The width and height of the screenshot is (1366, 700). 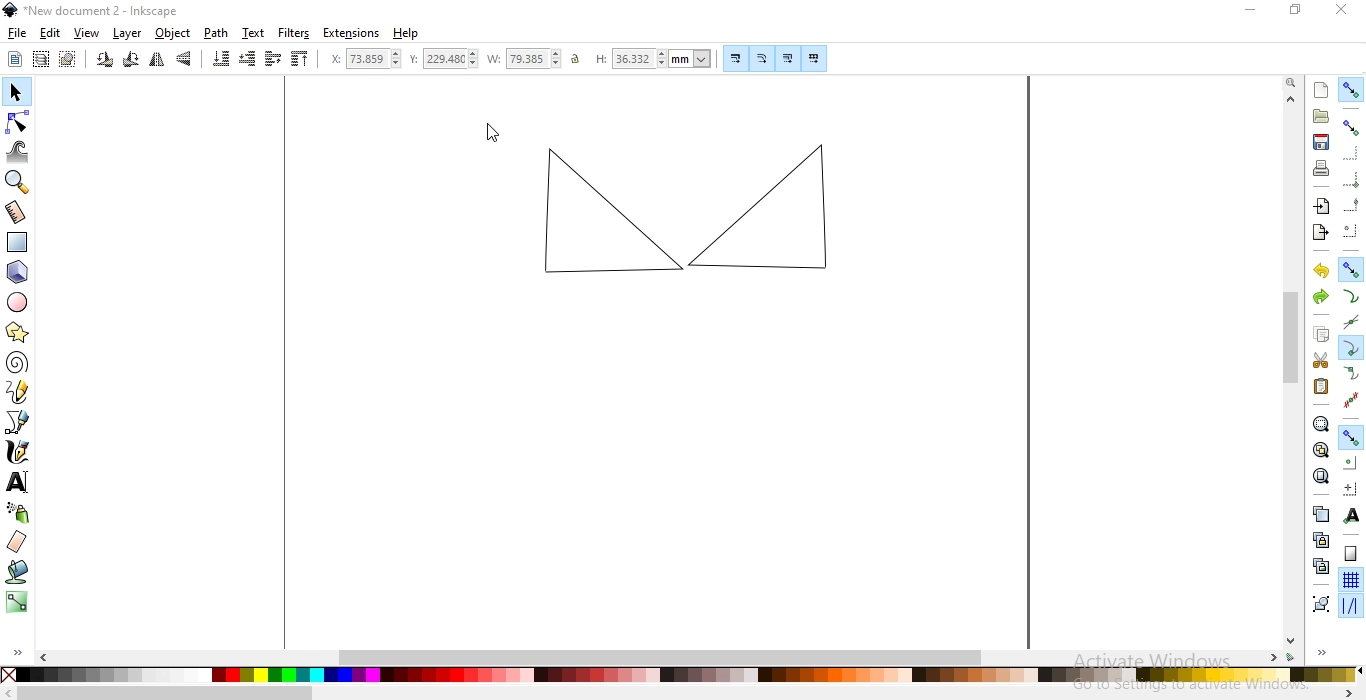 I want to click on rotate 90 clockwise, so click(x=130, y=60).